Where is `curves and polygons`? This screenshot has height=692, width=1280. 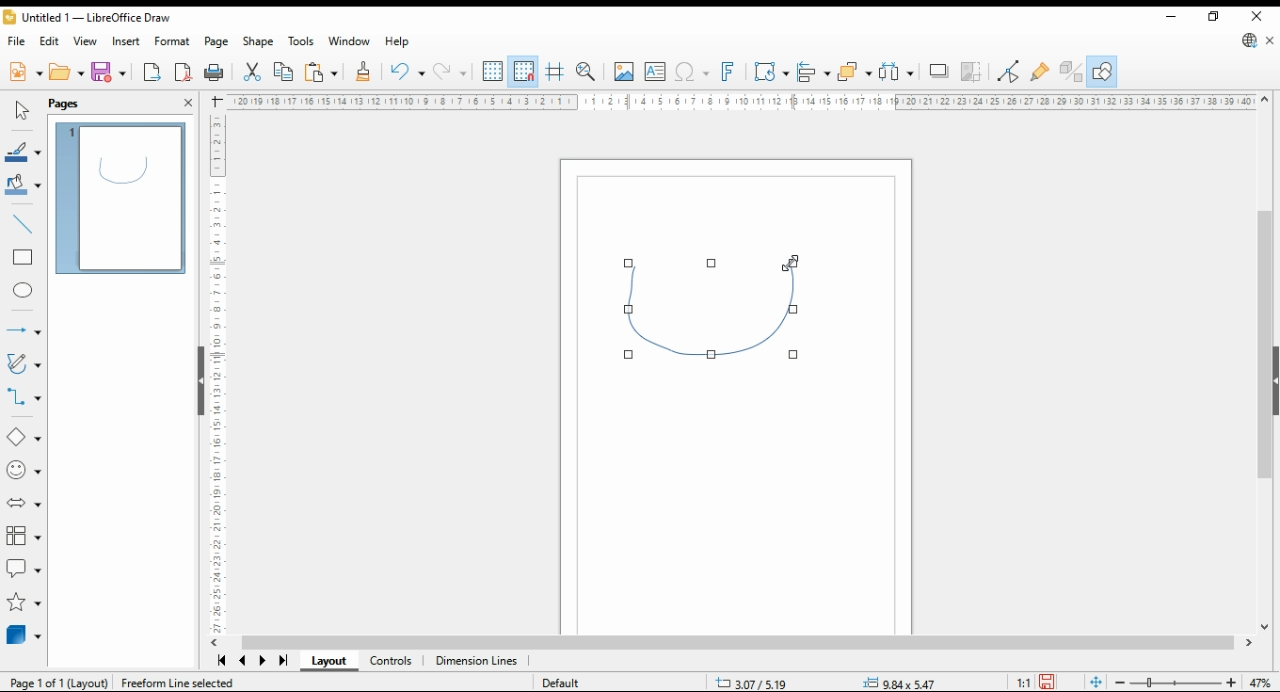 curves and polygons is located at coordinates (22, 364).